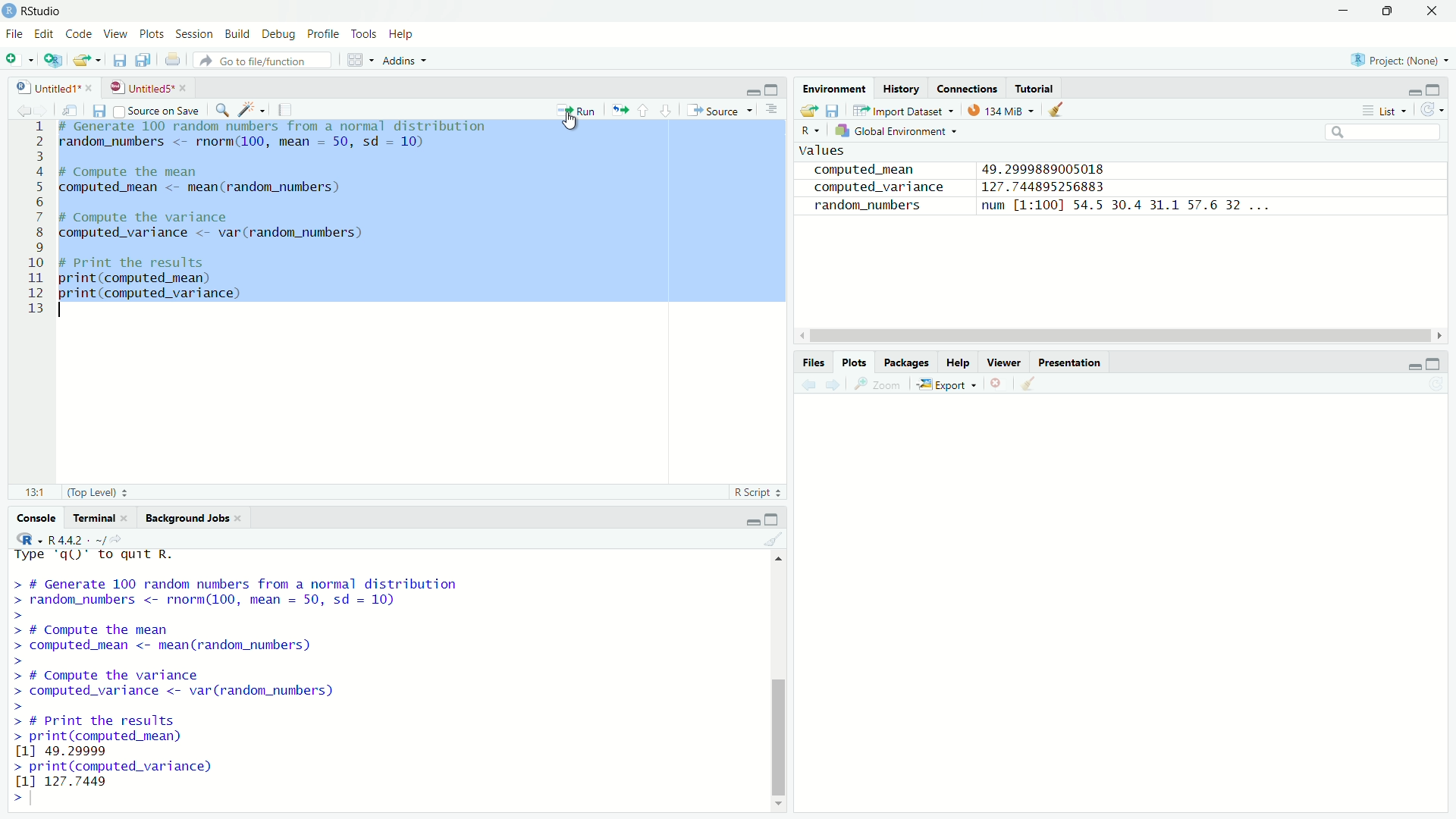  I want to click on typing cursor, so click(36, 800).